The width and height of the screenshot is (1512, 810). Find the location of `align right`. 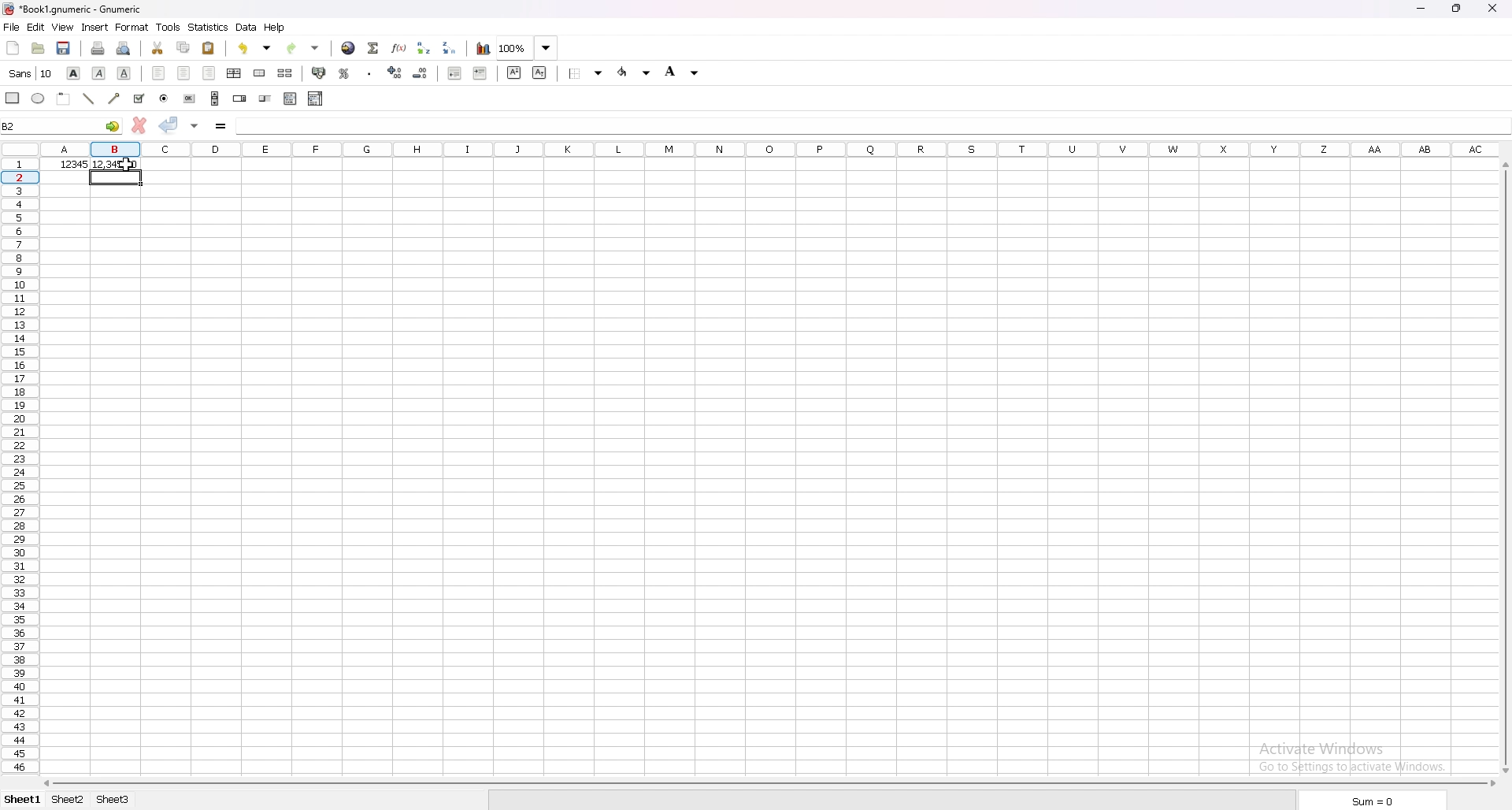

align right is located at coordinates (208, 73).